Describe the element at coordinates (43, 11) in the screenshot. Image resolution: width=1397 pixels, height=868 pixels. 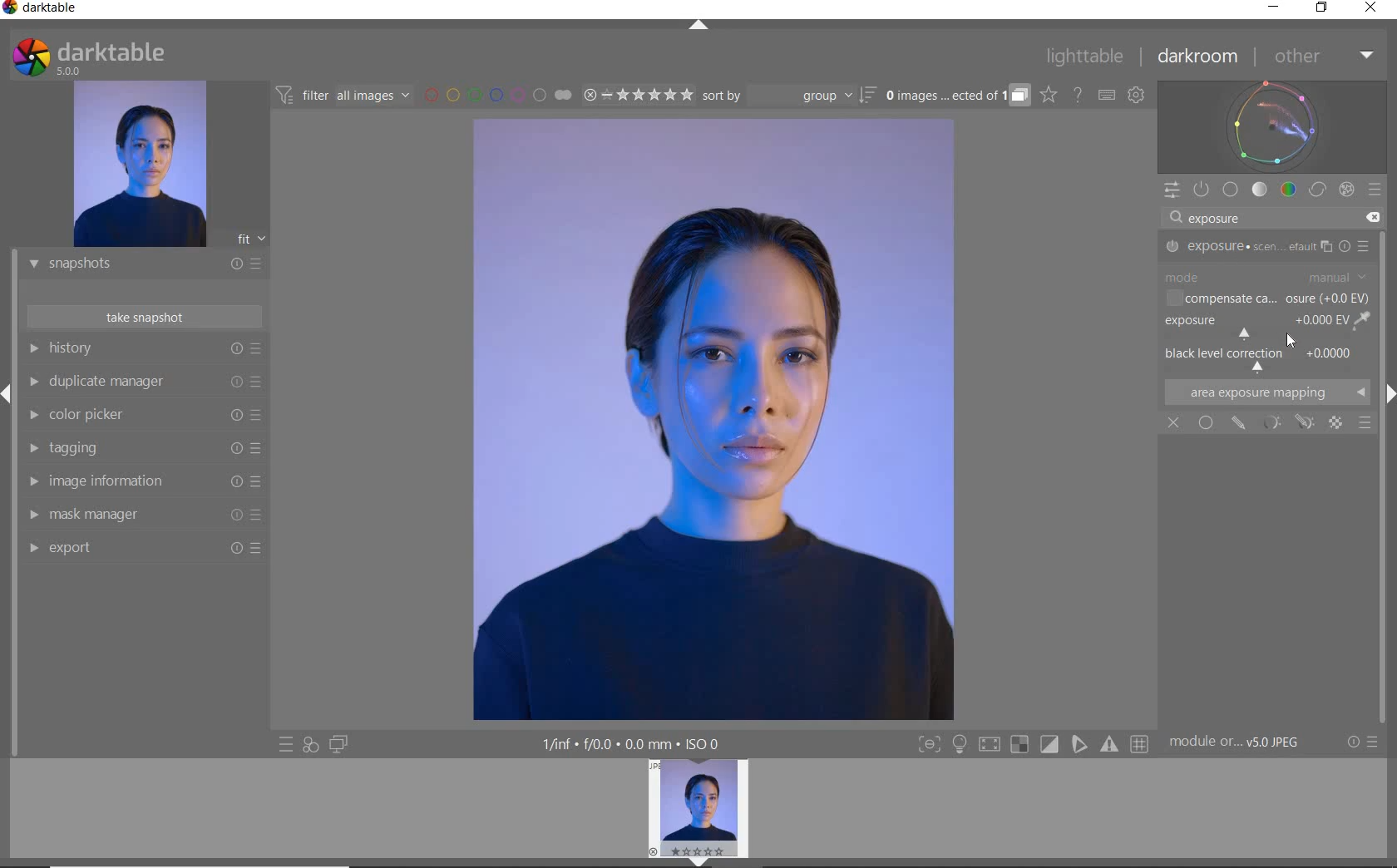
I see `SYSTEM NAME` at that location.